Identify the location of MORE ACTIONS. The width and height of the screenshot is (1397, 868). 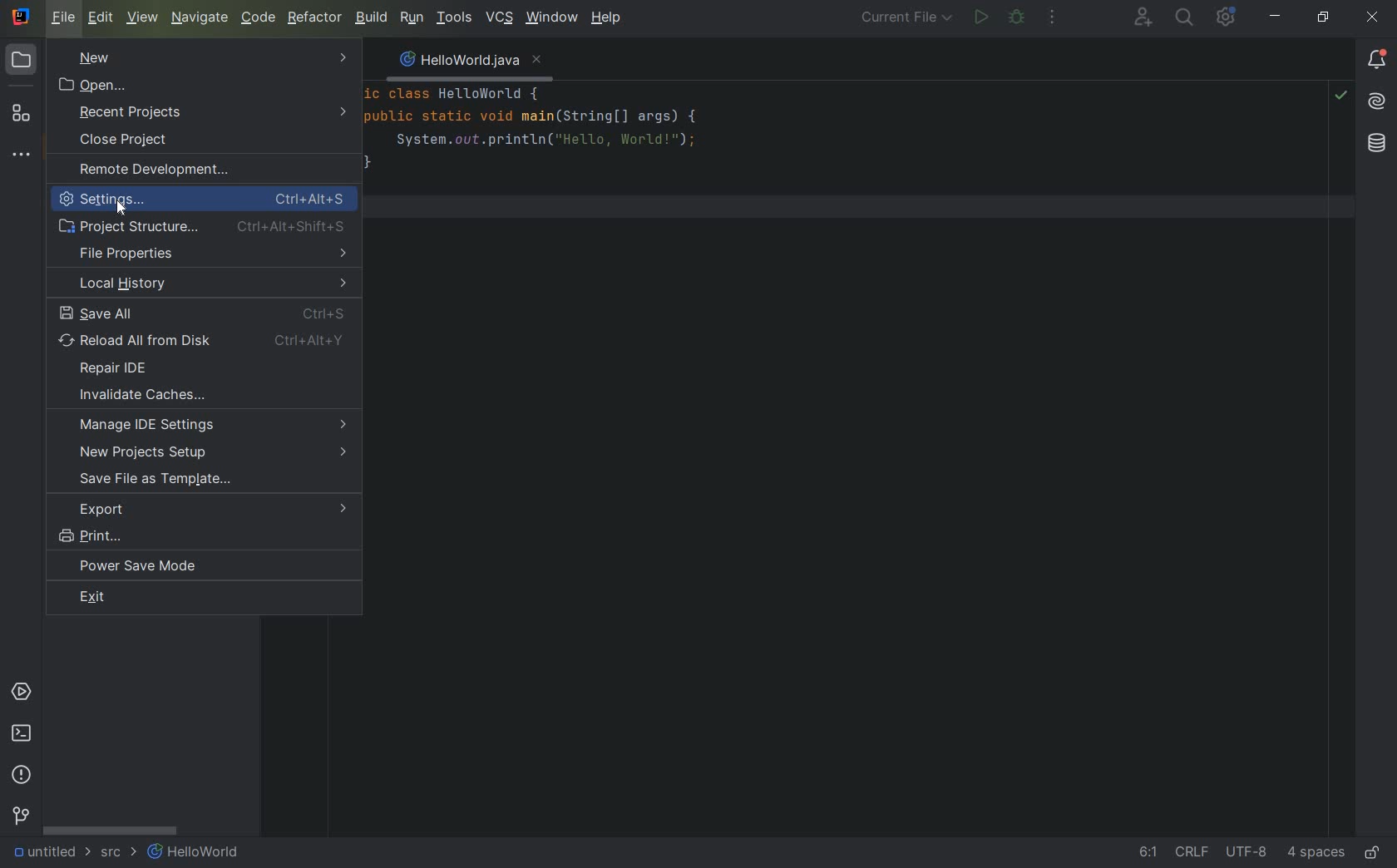
(1054, 19).